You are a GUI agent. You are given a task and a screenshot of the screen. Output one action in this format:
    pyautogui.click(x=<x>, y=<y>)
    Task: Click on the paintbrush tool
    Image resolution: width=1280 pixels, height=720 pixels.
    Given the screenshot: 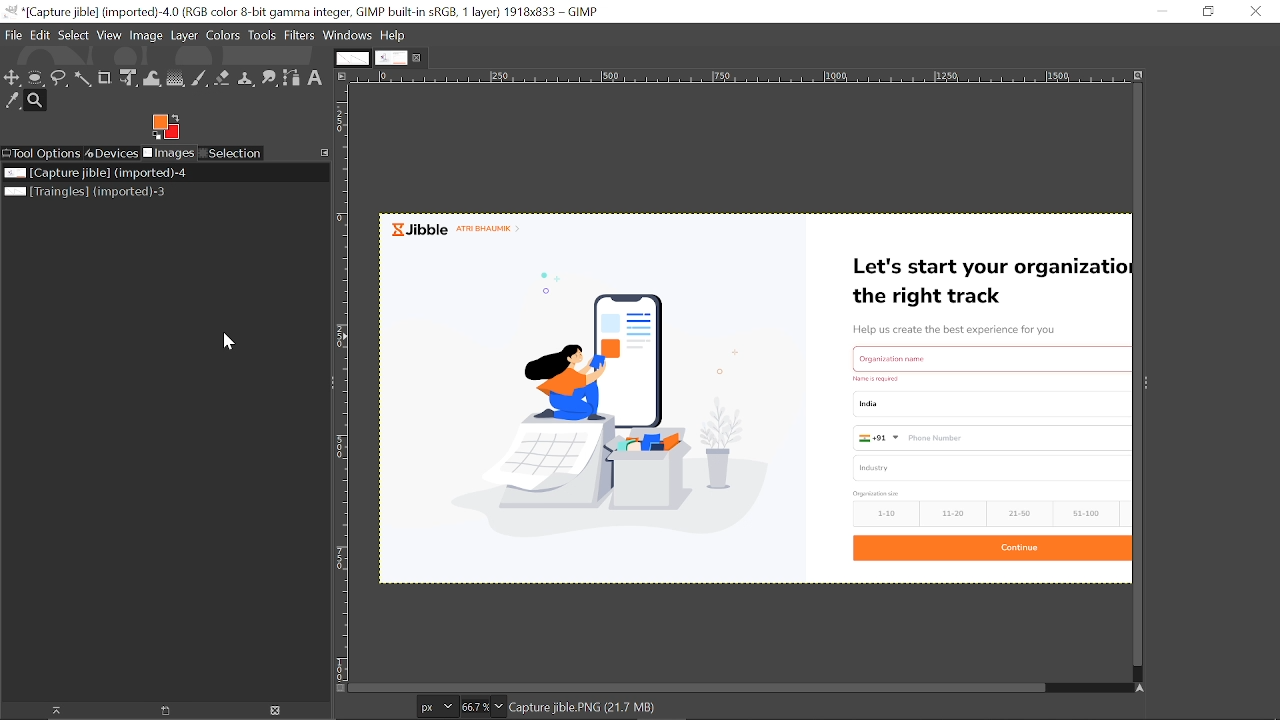 What is the action you would take?
    pyautogui.click(x=200, y=79)
    